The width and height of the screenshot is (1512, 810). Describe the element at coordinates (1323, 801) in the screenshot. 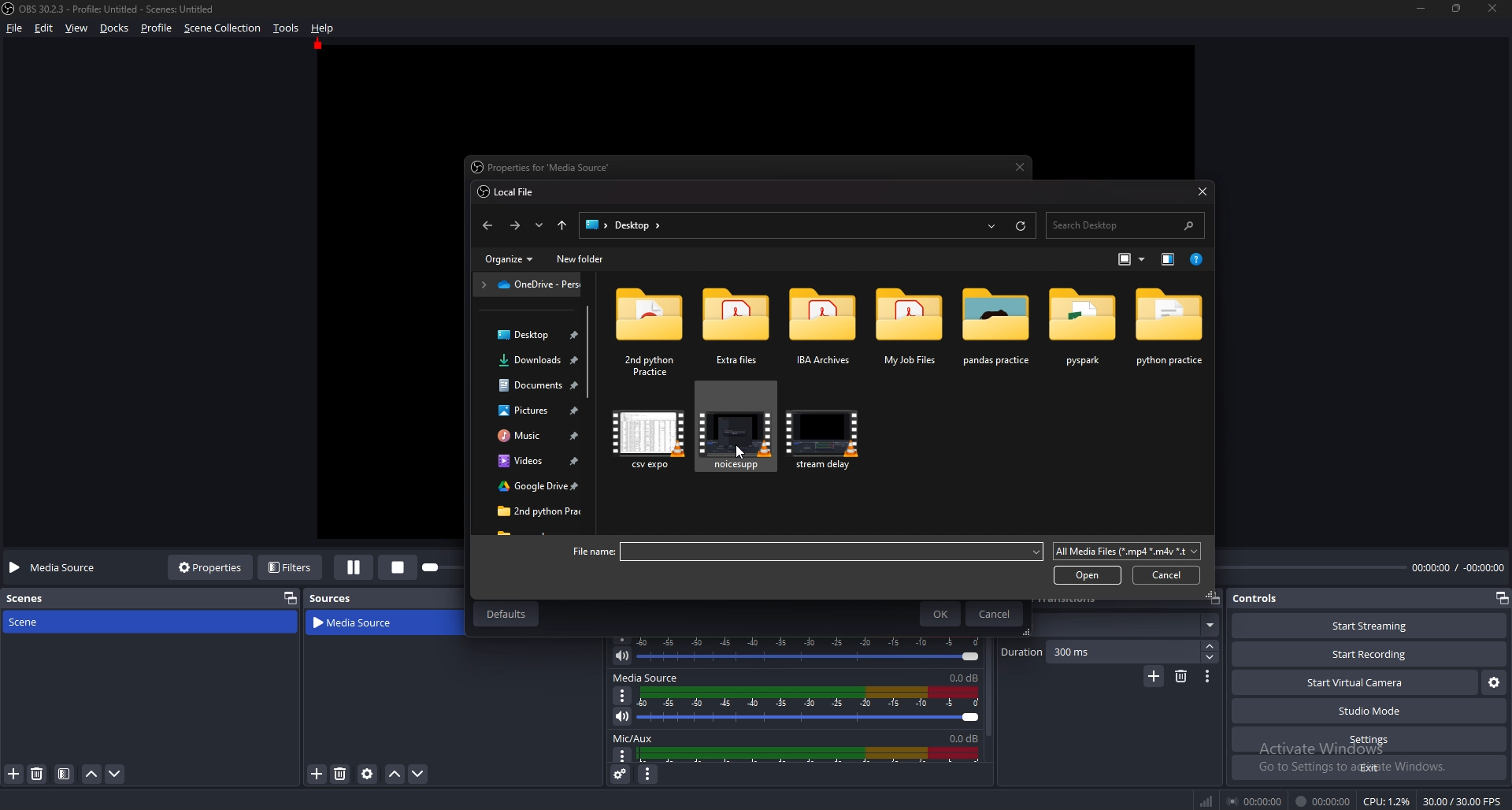

I see `00:00:00` at that location.